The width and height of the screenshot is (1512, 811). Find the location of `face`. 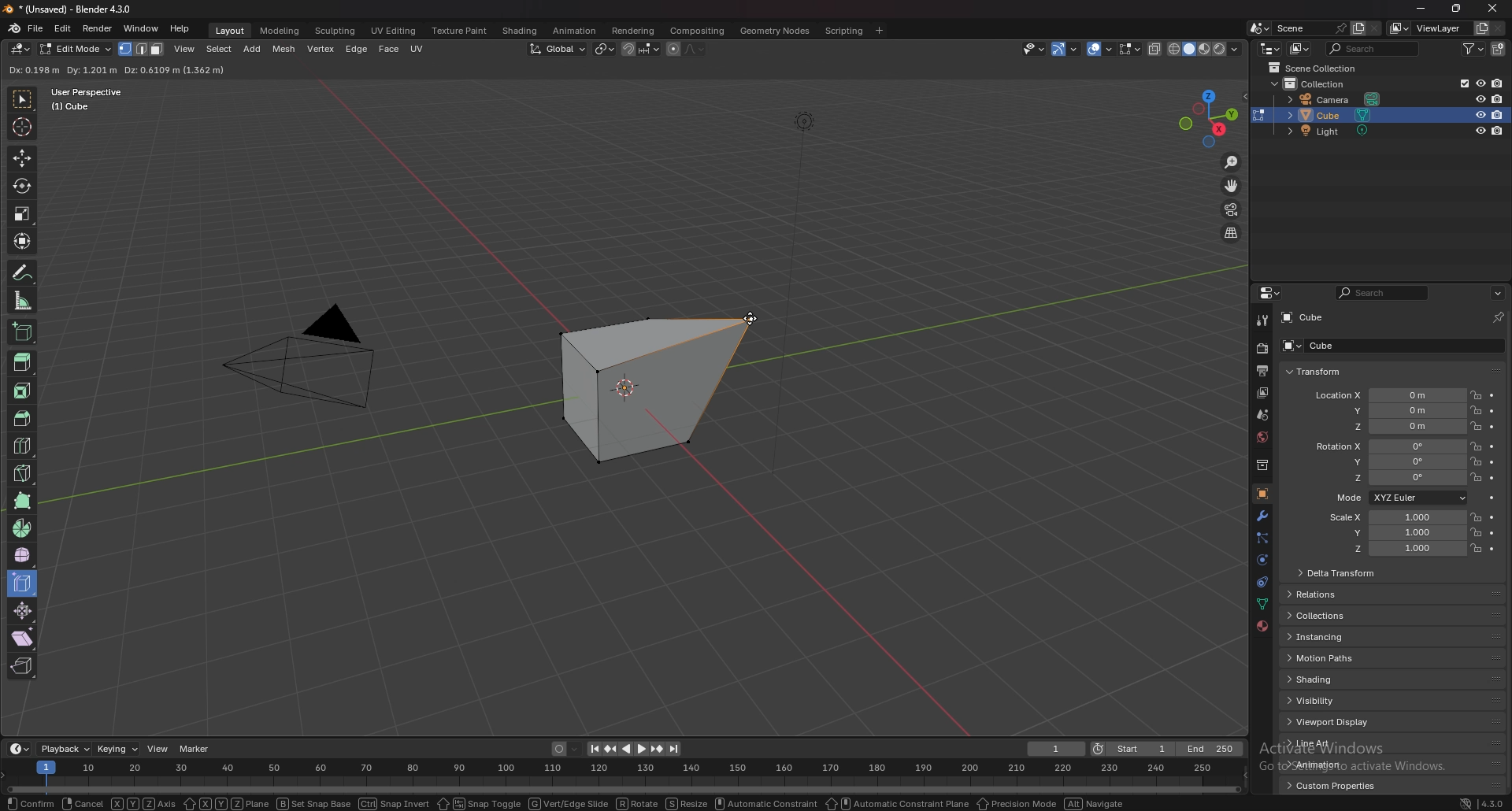

face is located at coordinates (389, 50).